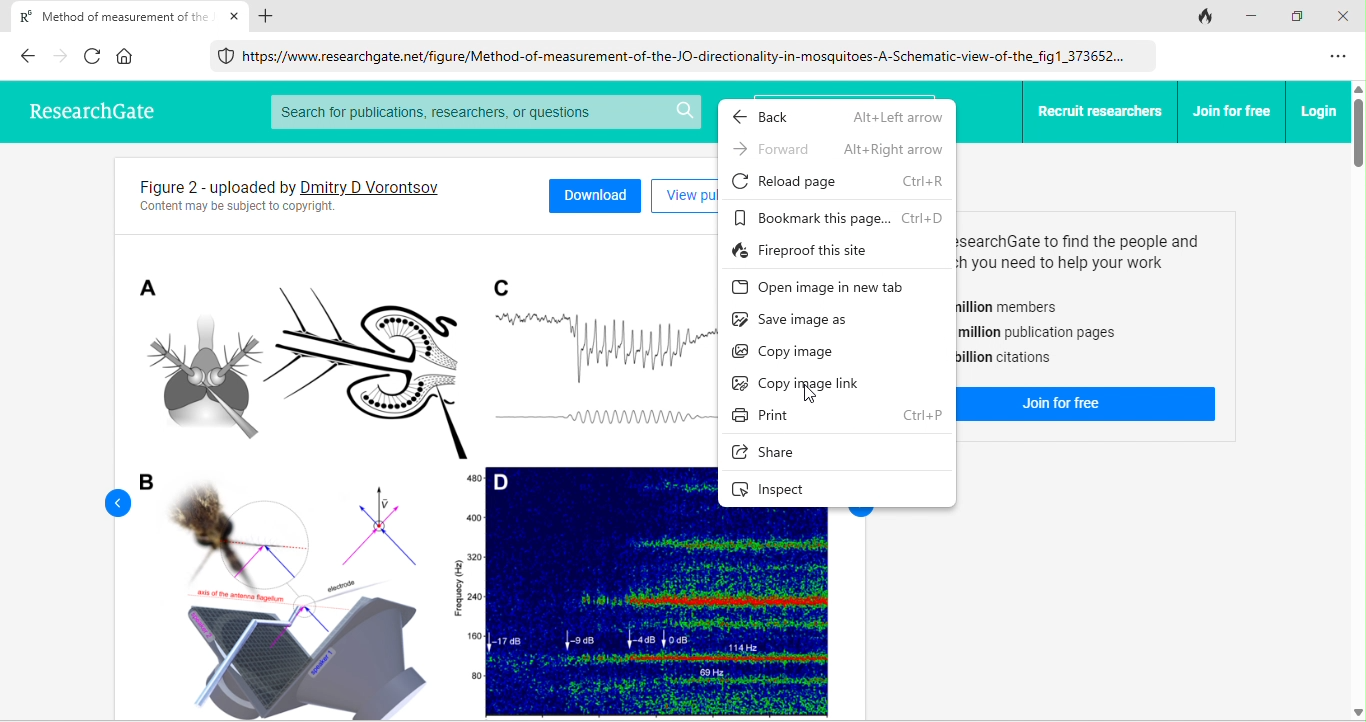 The width and height of the screenshot is (1366, 722). I want to click on join for free, so click(1092, 405).